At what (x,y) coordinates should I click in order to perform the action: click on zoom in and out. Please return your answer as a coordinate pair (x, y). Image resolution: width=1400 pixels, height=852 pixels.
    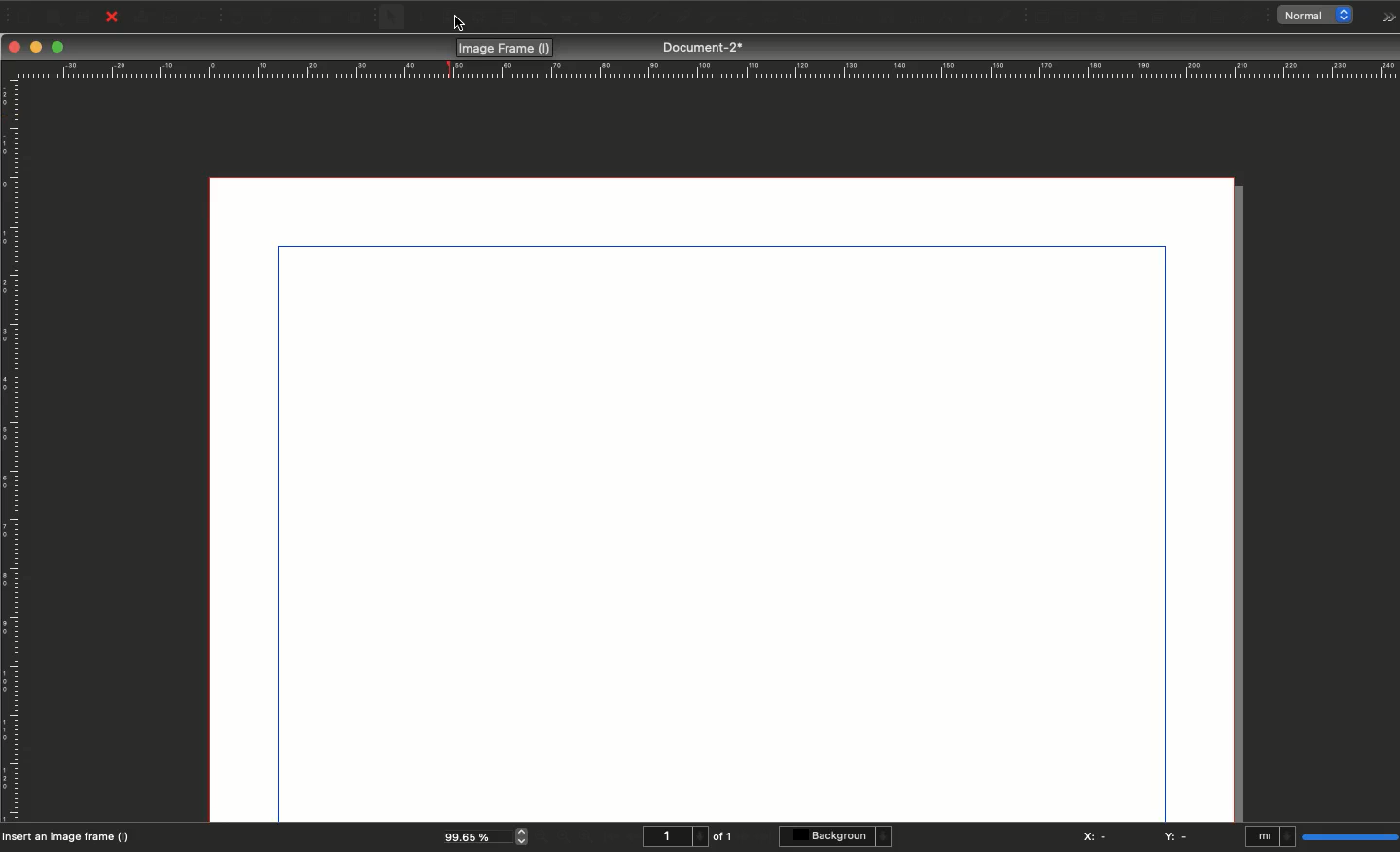
    Looking at the image, I should click on (525, 835).